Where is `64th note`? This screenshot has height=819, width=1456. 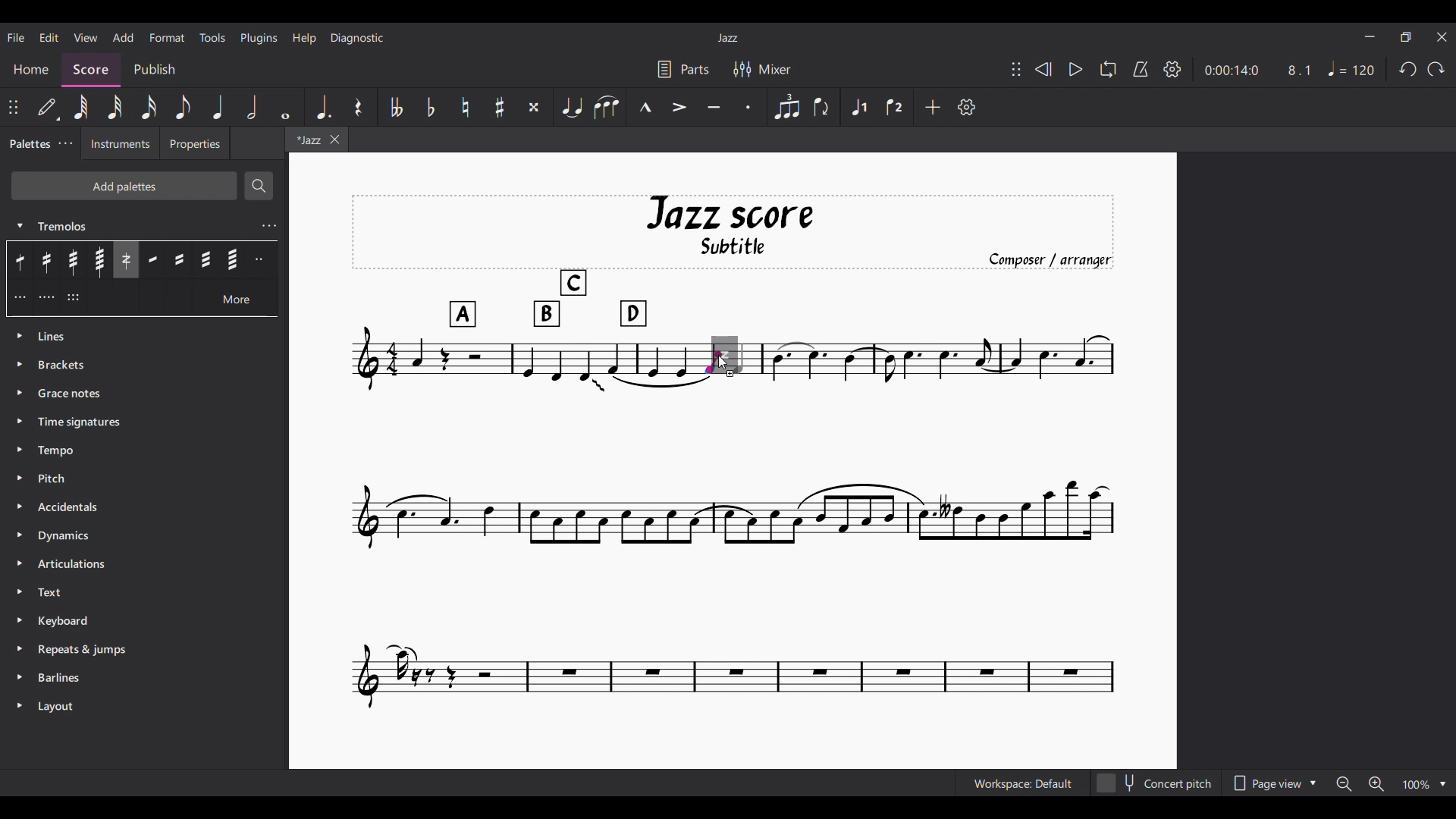
64th note is located at coordinates (80, 107).